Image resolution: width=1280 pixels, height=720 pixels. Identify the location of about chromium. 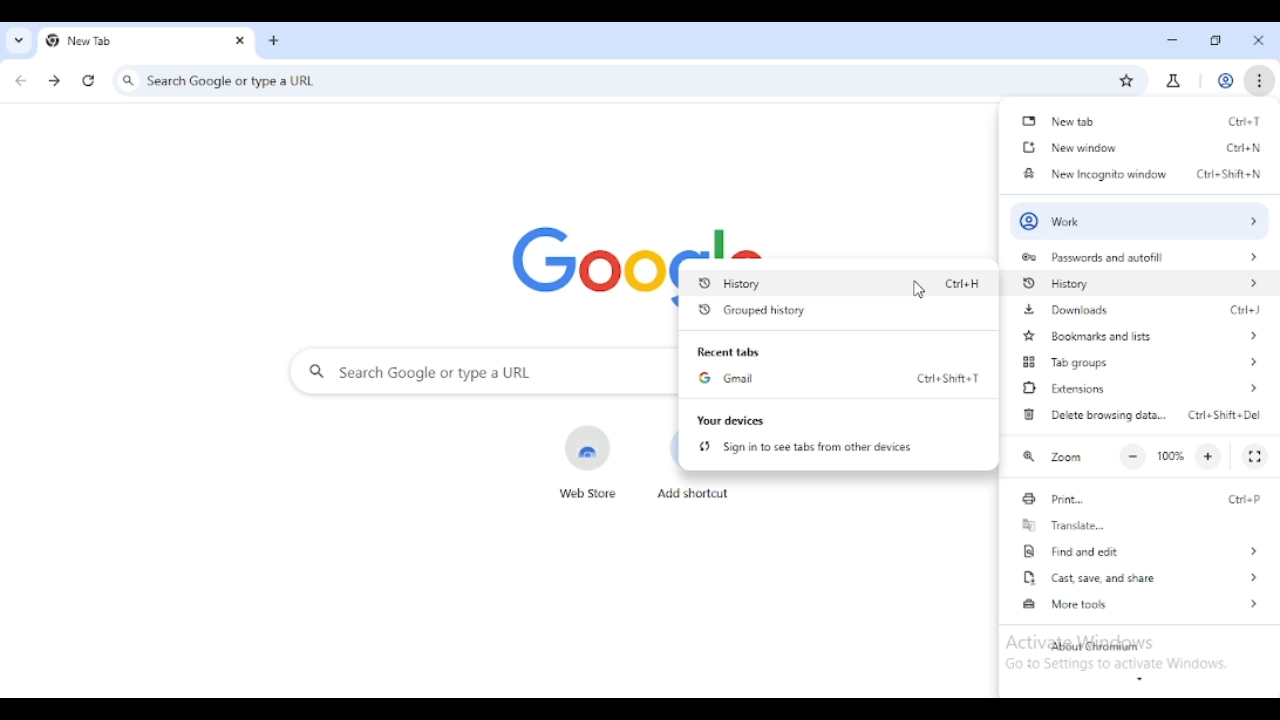
(1094, 647).